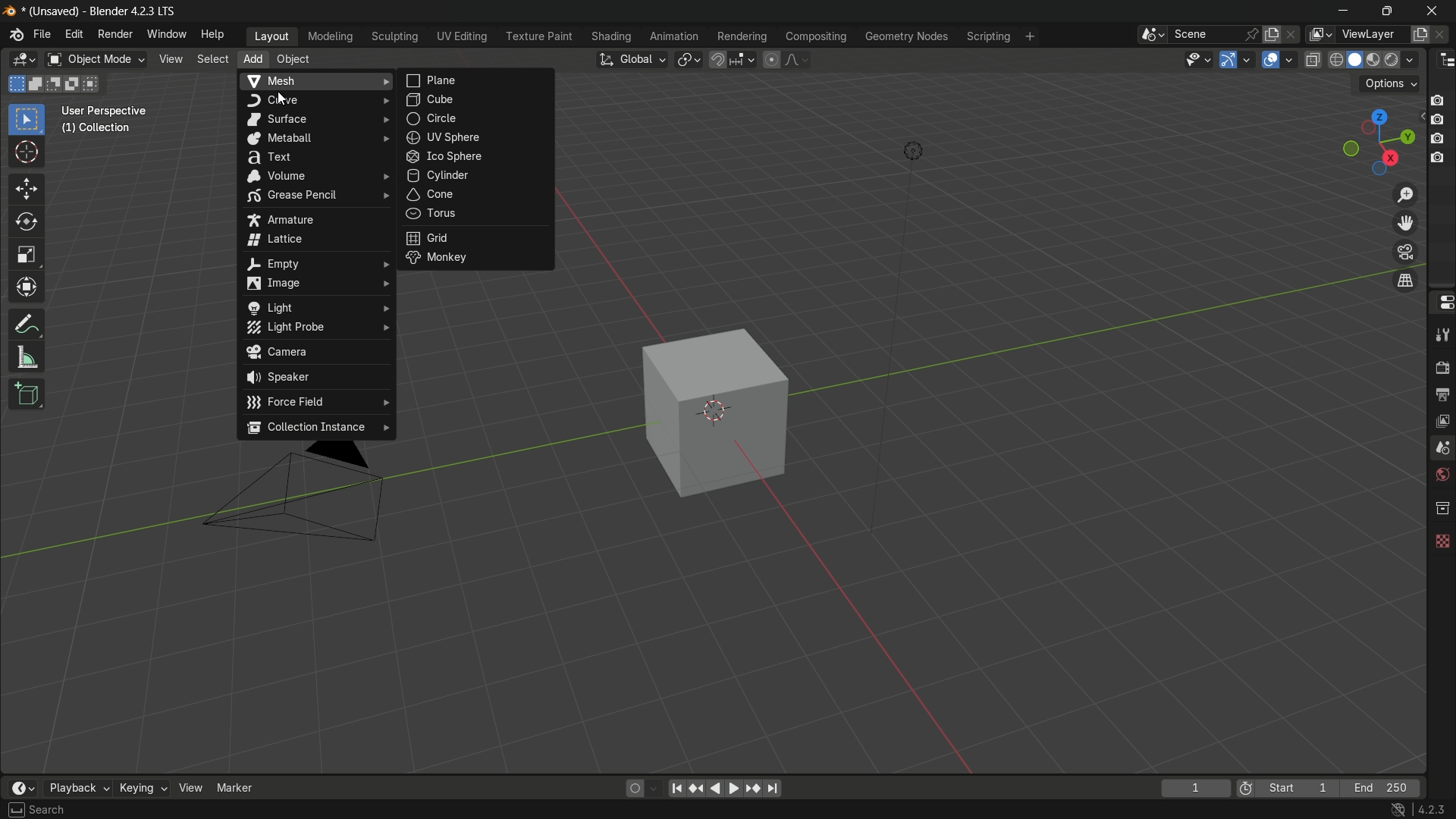 Image resolution: width=1456 pixels, height=819 pixels. I want to click on switch the current view, so click(1405, 283).